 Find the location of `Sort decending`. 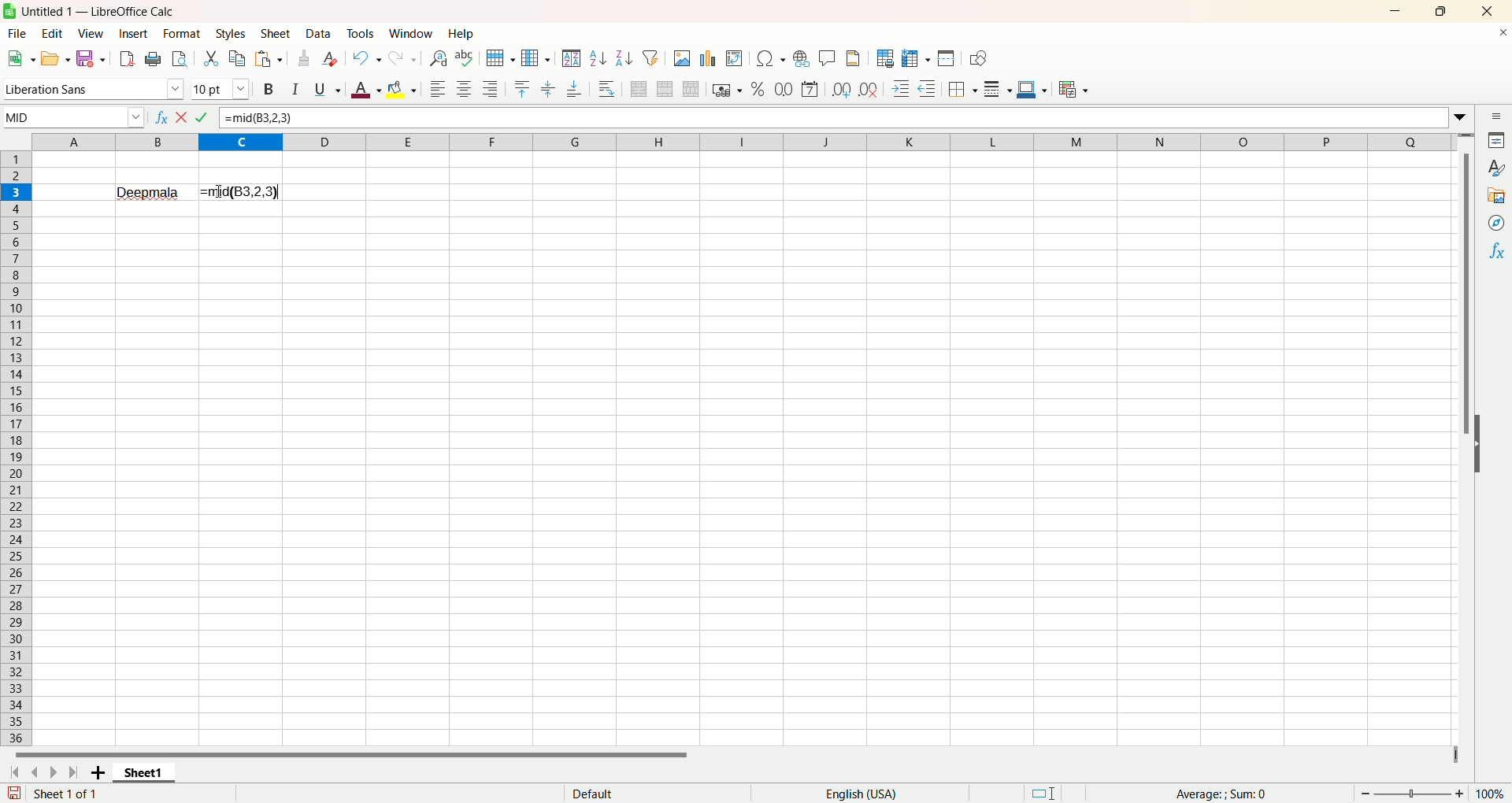

Sort decending is located at coordinates (624, 56).